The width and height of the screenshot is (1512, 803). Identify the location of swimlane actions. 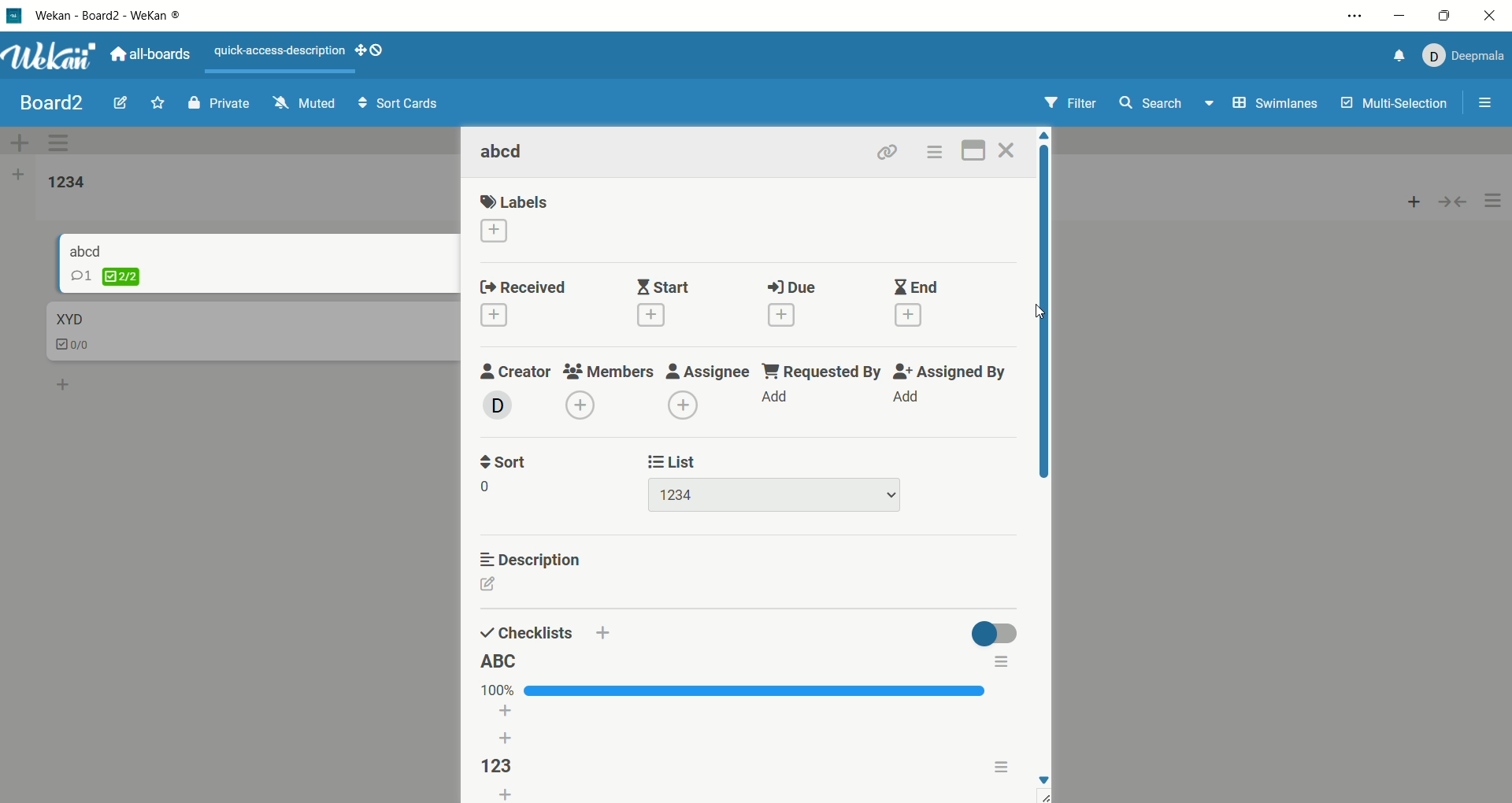
(62, 144).